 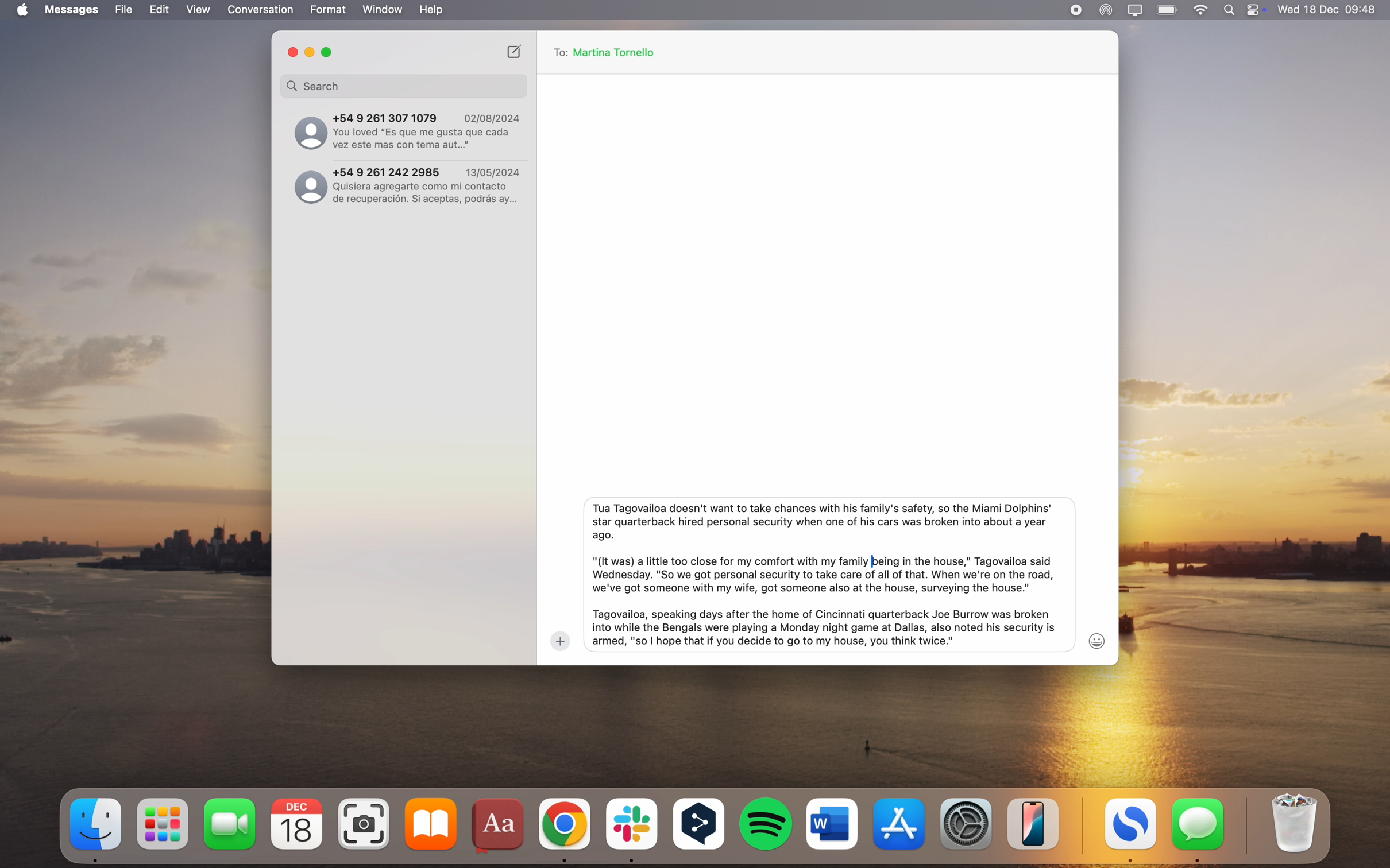 I want to click on messages, so click(x=74, y=10).